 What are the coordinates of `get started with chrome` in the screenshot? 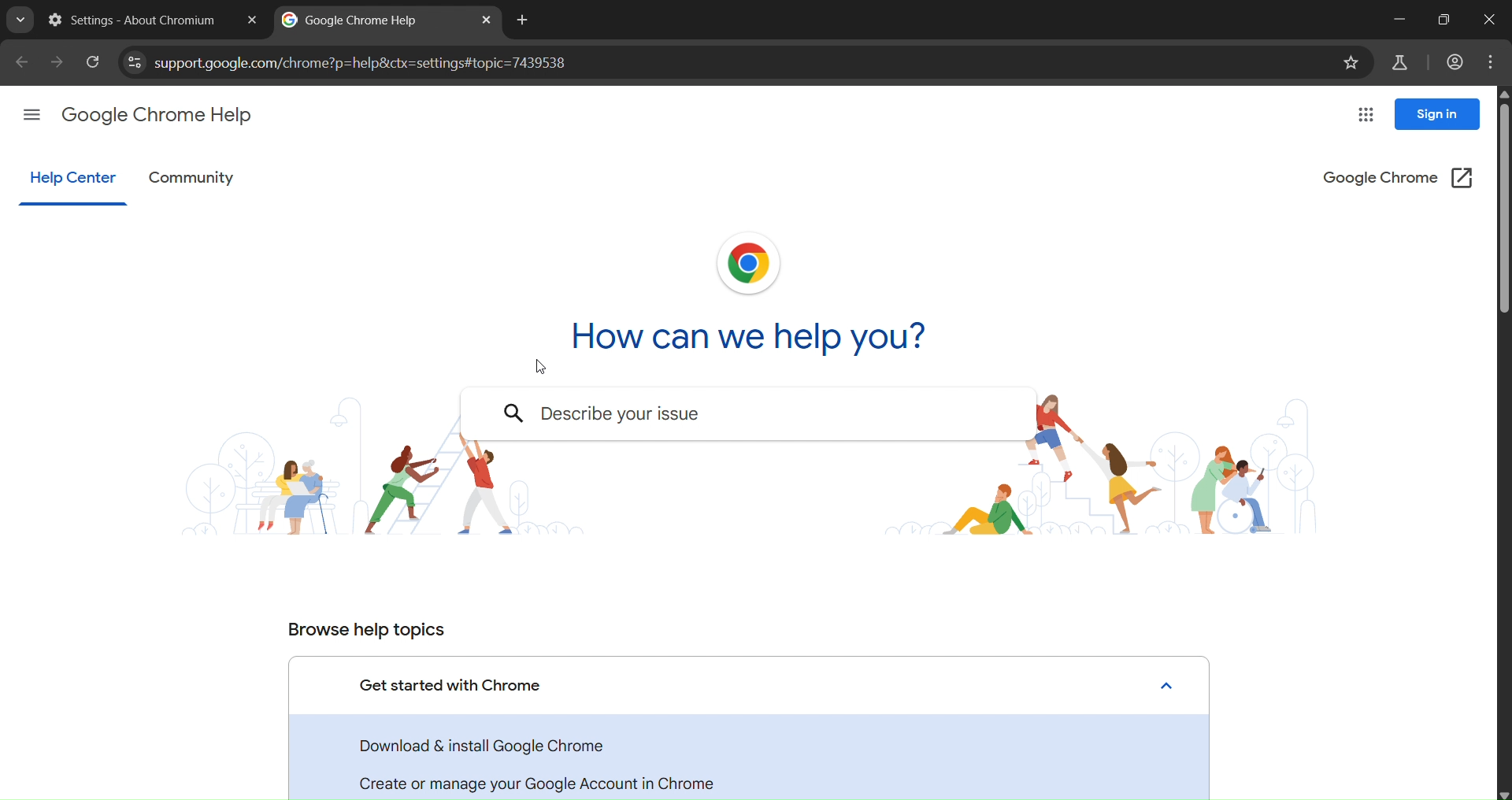 It's located at (458, 684).